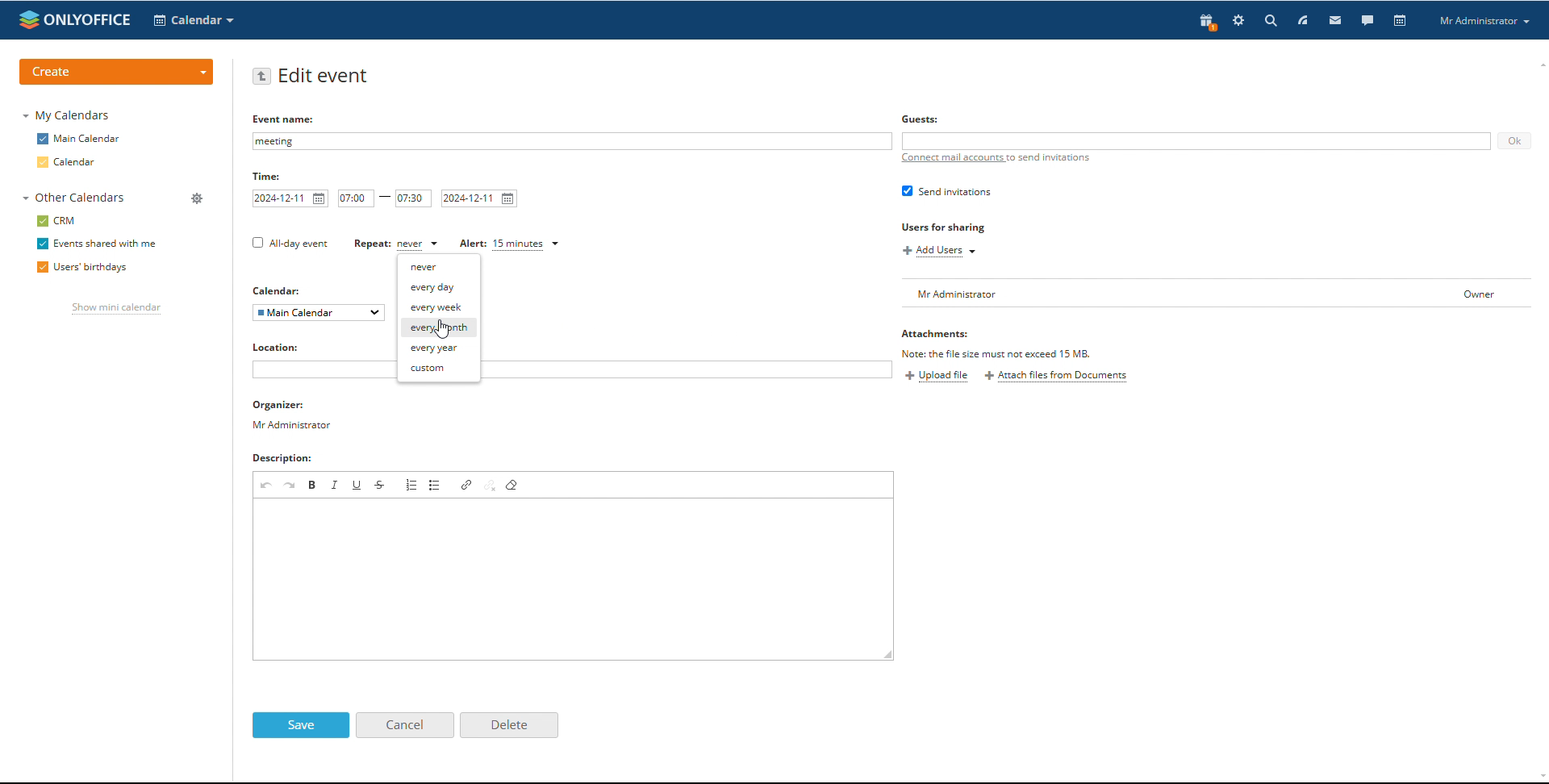 This screenshot has height=784, width=1549. I want to click on delete, so click(508, 724).